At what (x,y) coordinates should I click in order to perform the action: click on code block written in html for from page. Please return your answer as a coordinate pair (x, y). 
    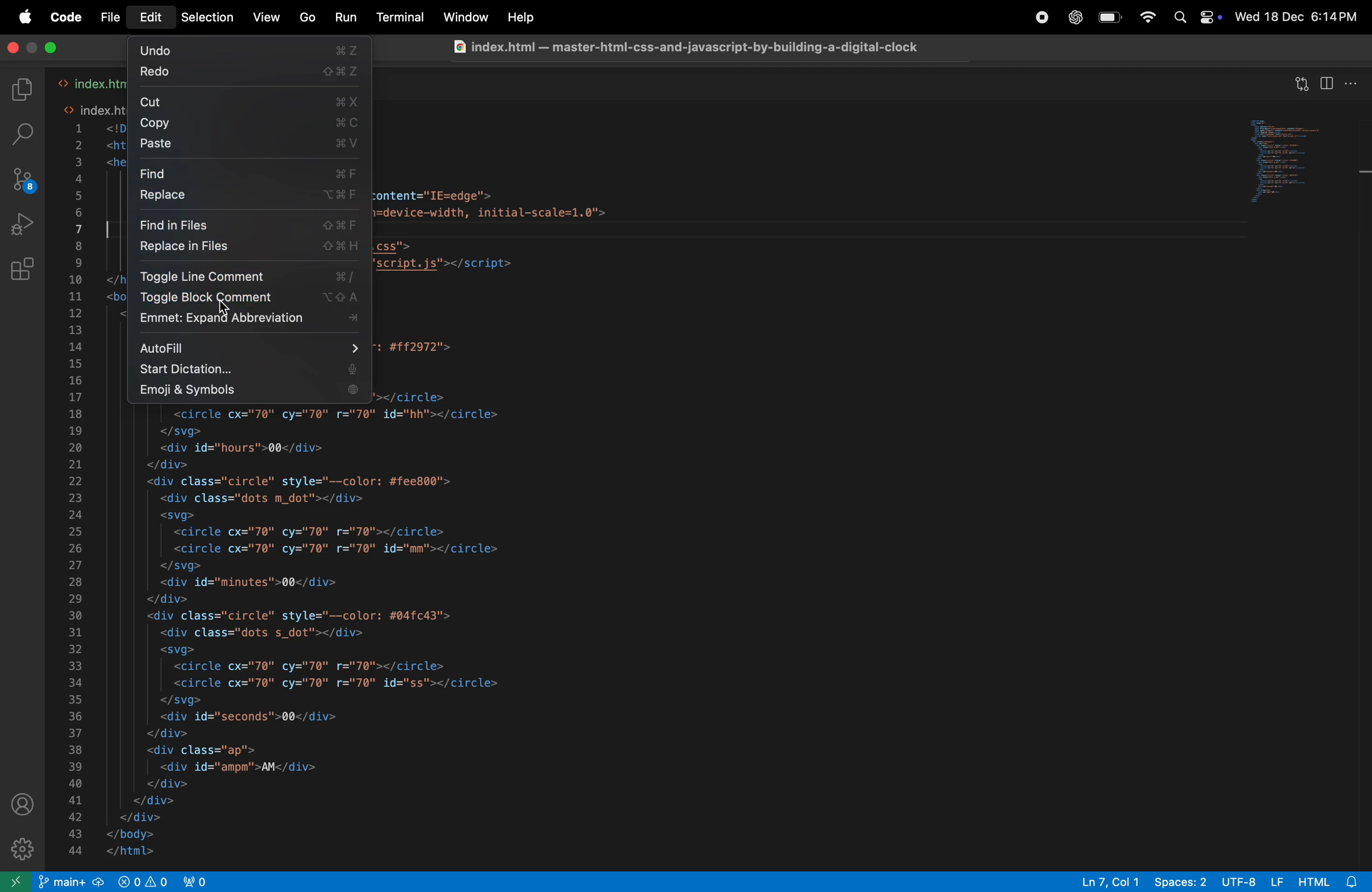
    Looking at the image, I should click on (480, 632).